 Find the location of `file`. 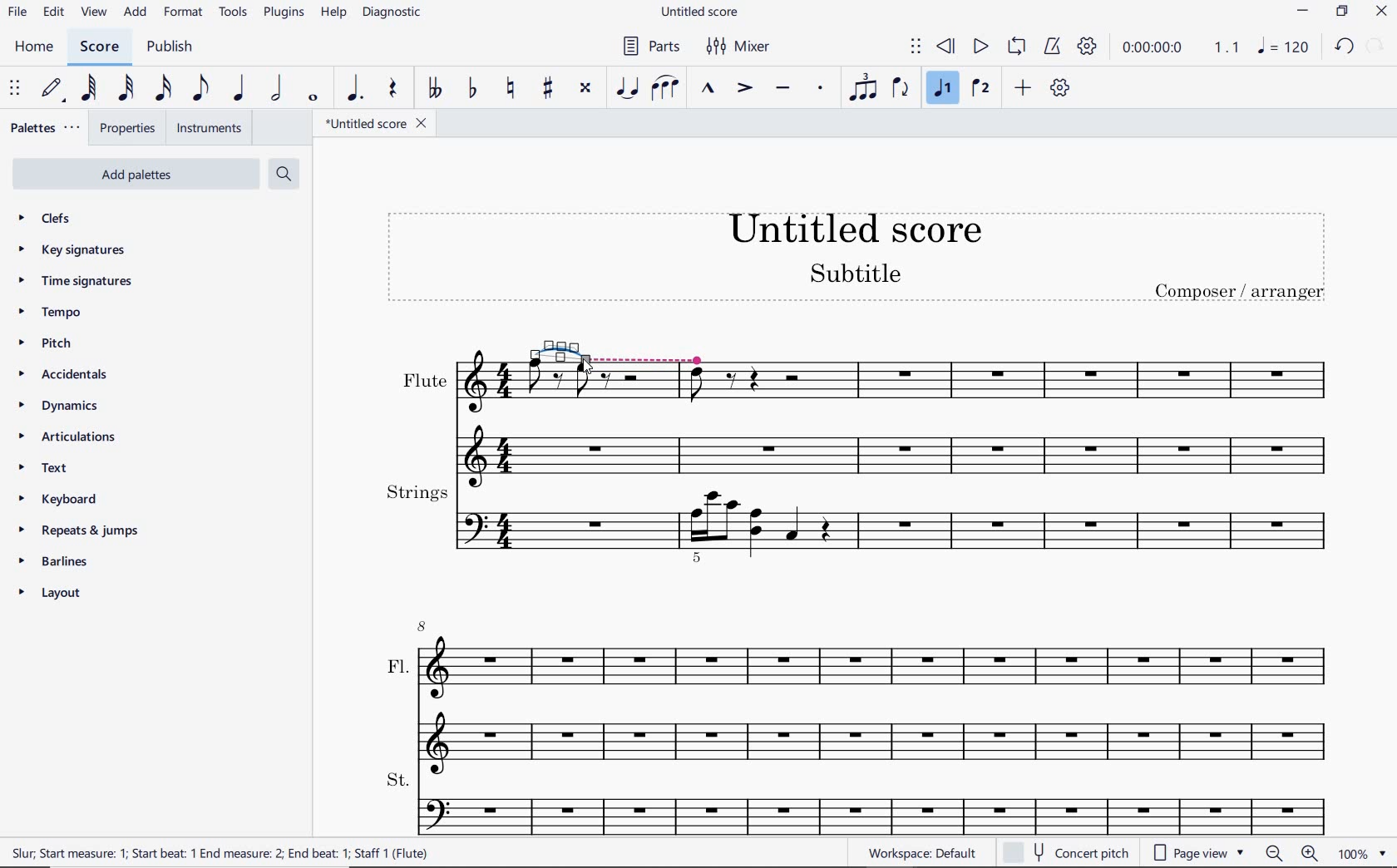

file is located at coordinates (21, 12).